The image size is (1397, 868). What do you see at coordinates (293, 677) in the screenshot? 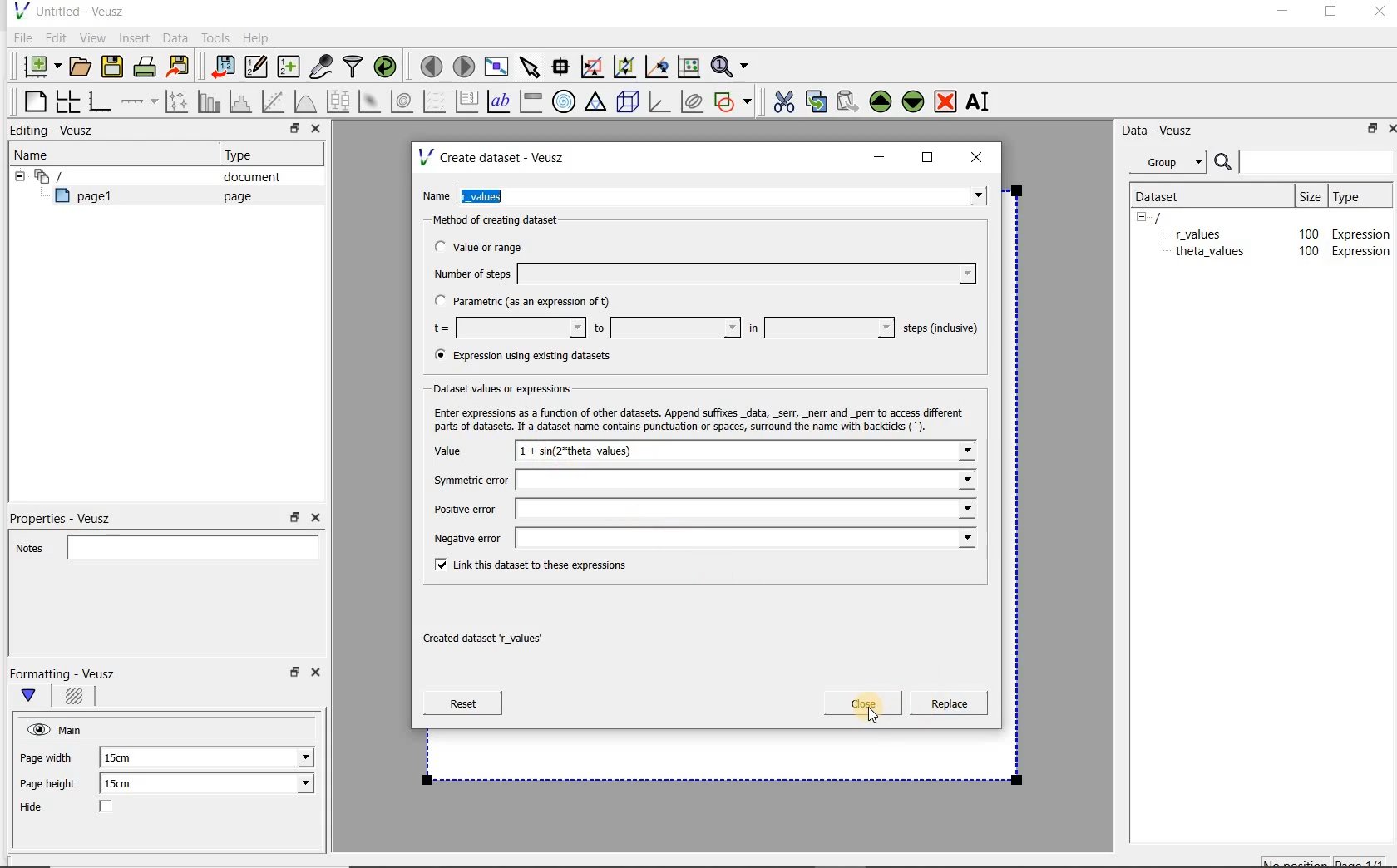
I see `restore down` at bounding box center [293, 677].